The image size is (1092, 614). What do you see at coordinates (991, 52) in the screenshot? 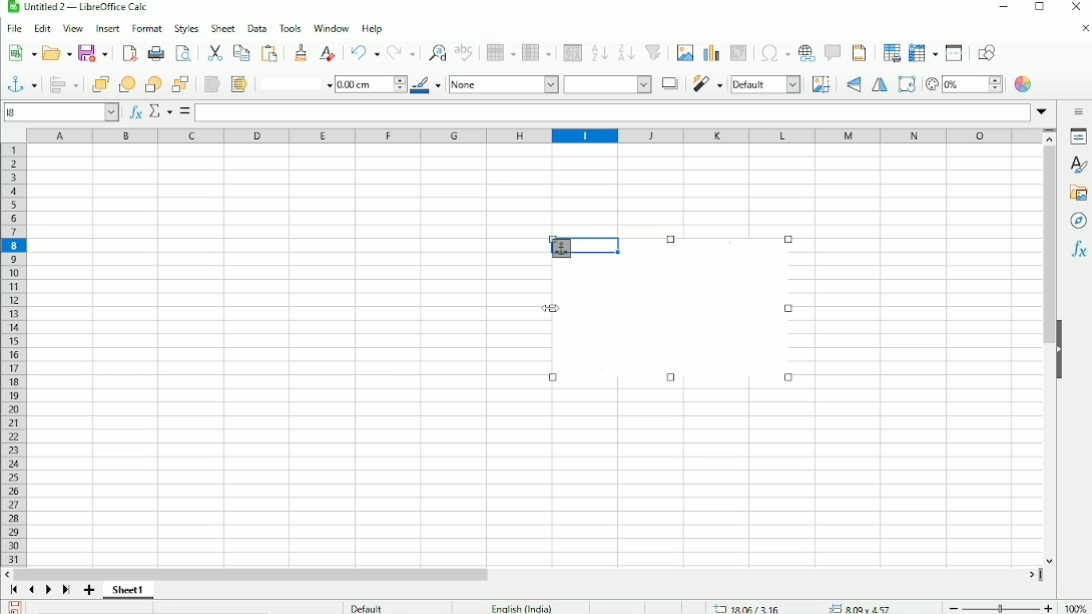
I see `Show Draw functions ` at bounding box center [991, 52].